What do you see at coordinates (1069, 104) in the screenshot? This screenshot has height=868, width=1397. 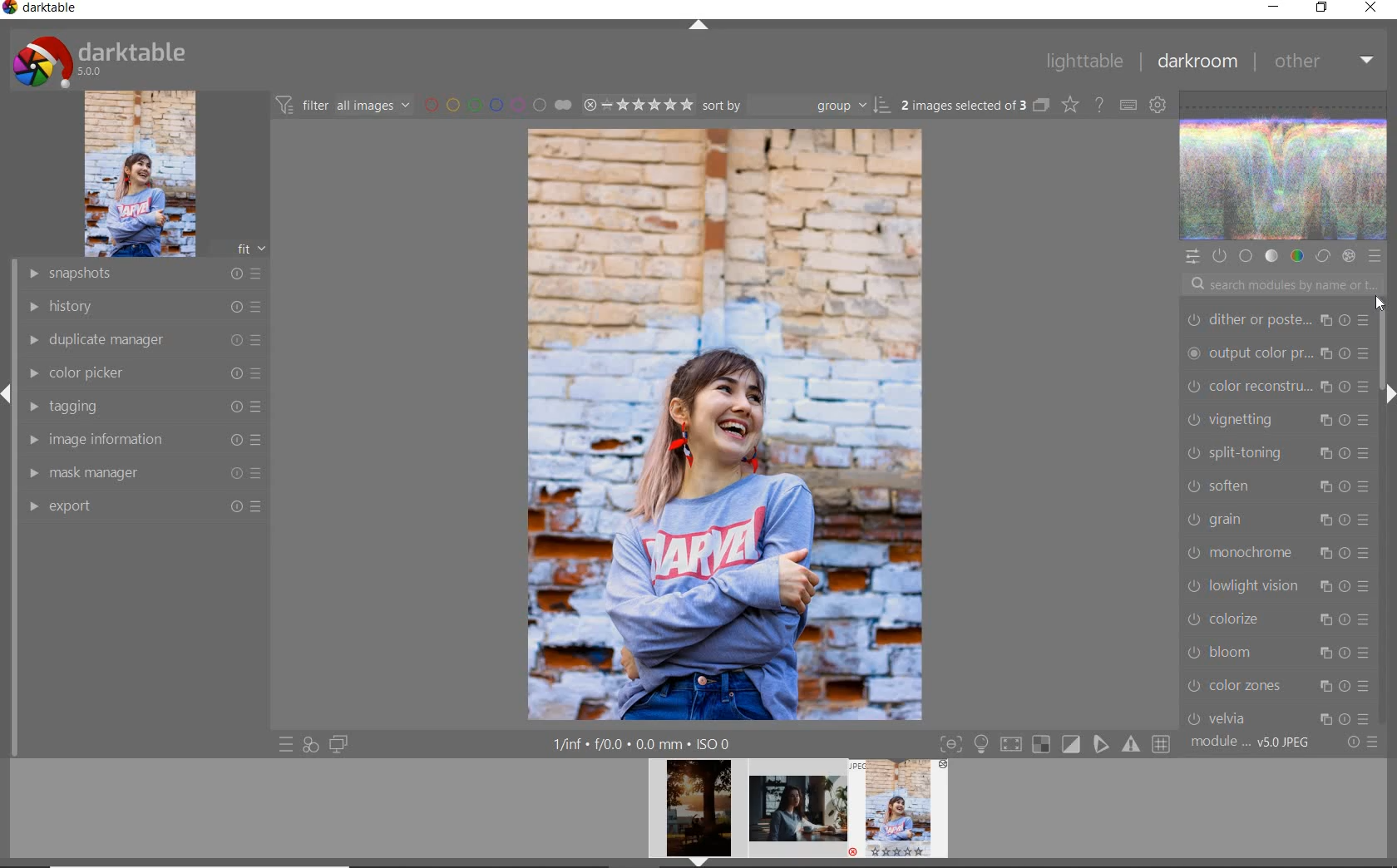 I see `CHANGE TYPE OF OVERLAYS` at bounding box center [1069, 104].